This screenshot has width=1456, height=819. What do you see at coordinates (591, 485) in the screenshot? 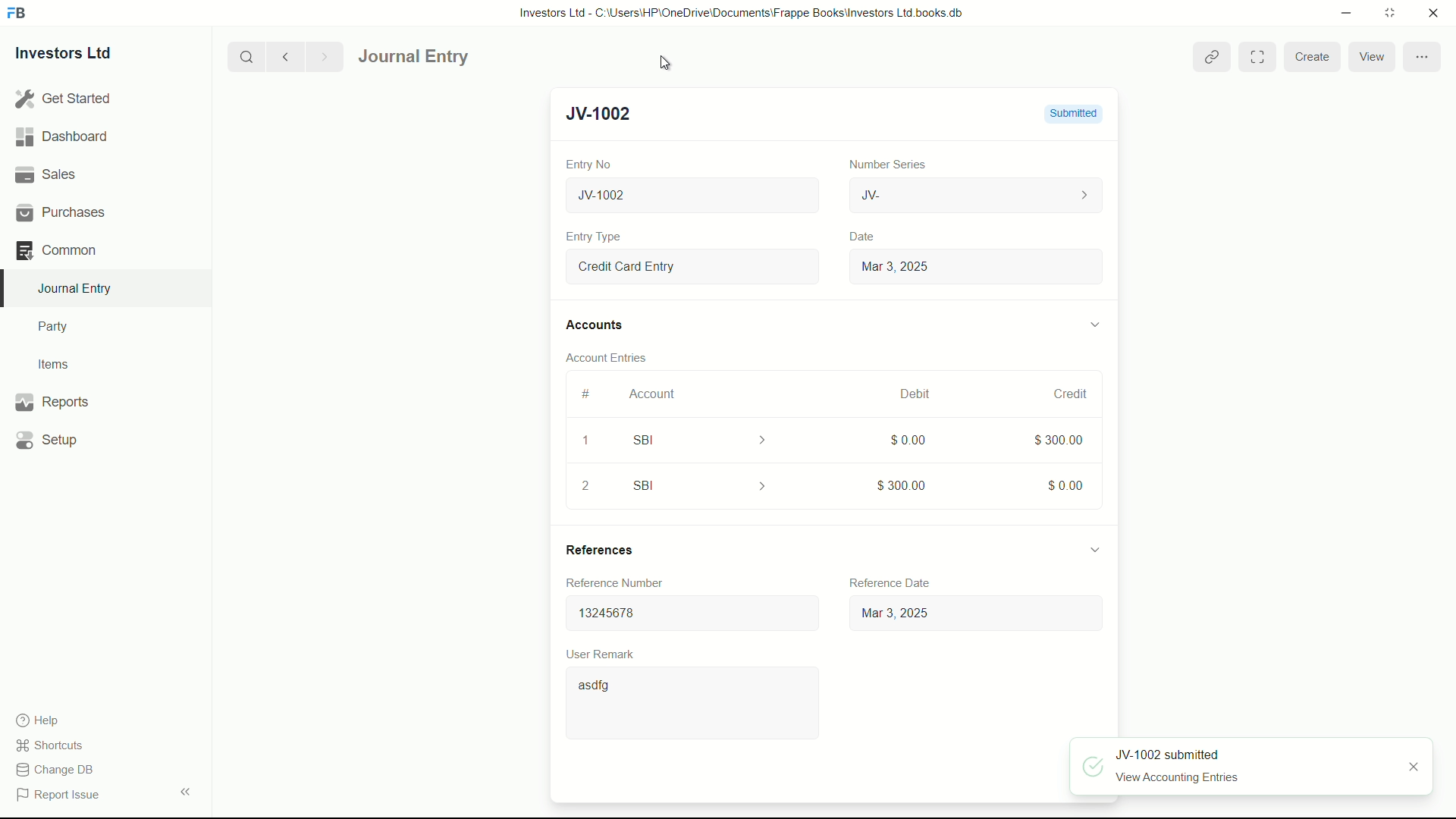
I see `2` at bounding box center [591, 485].